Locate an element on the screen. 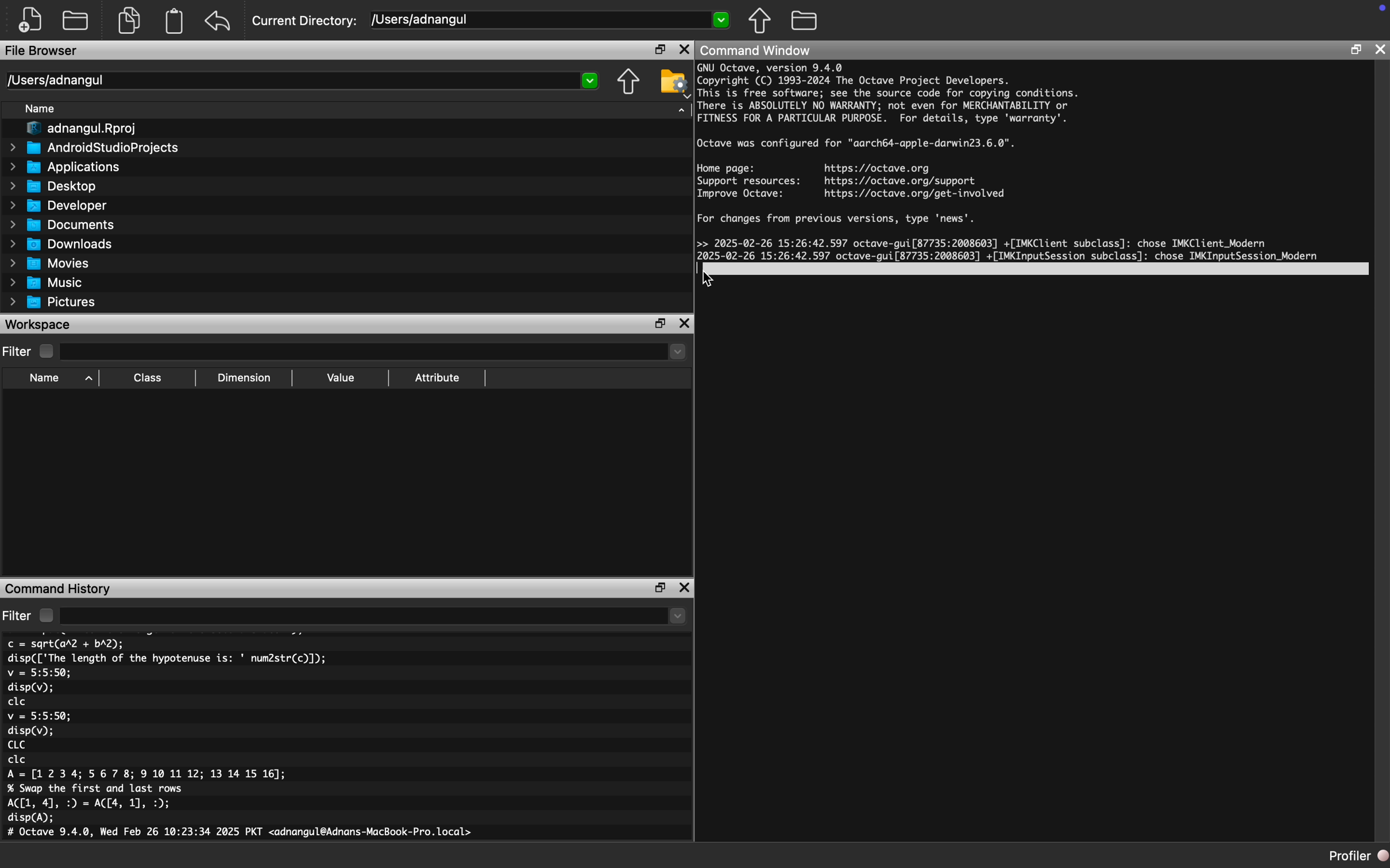 This screenshot has height=868, width=1390. Developer is located at coordinates (57, 205).